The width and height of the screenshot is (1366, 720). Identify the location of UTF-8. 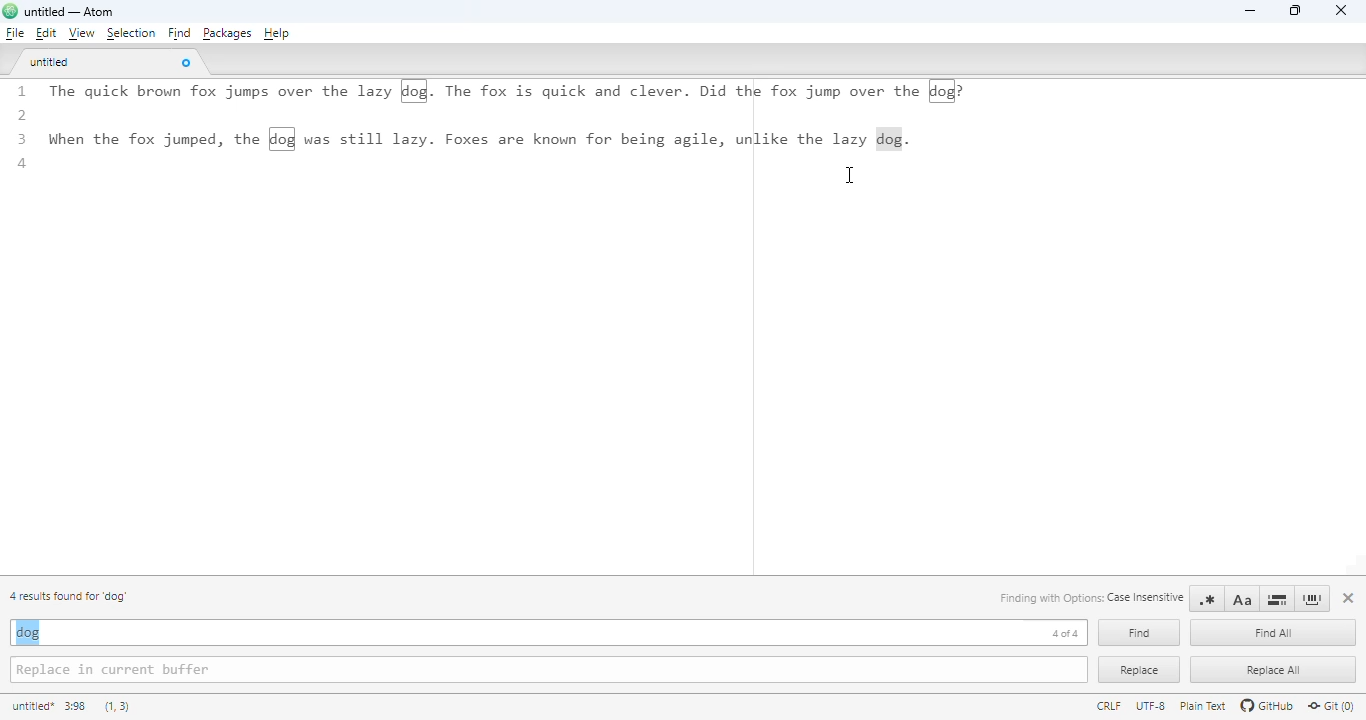
(1151, 707).